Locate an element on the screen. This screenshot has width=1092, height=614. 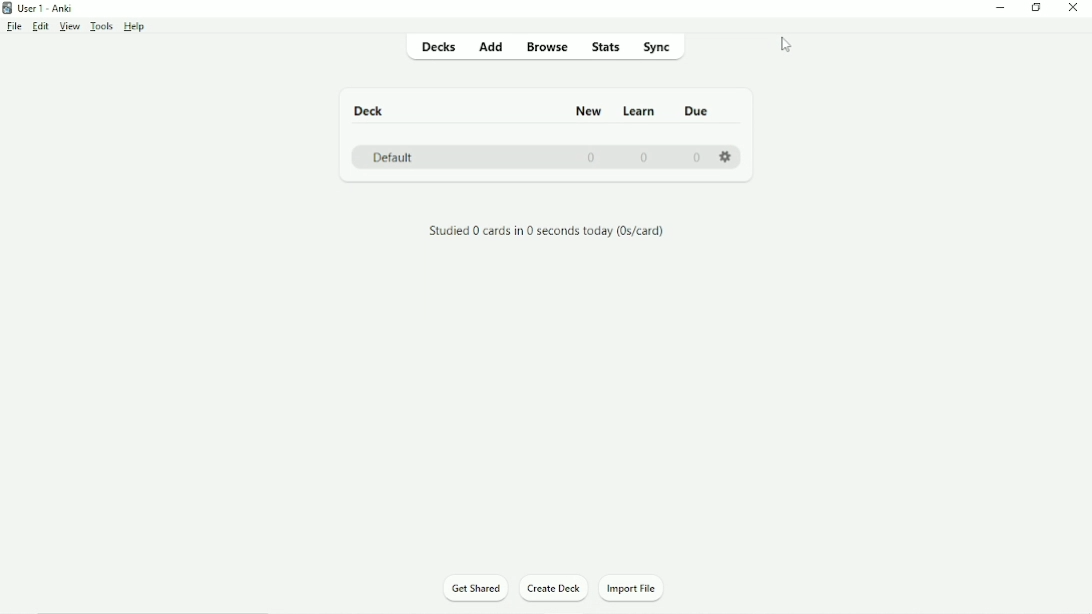
Add is located at coordinates (491, 46).